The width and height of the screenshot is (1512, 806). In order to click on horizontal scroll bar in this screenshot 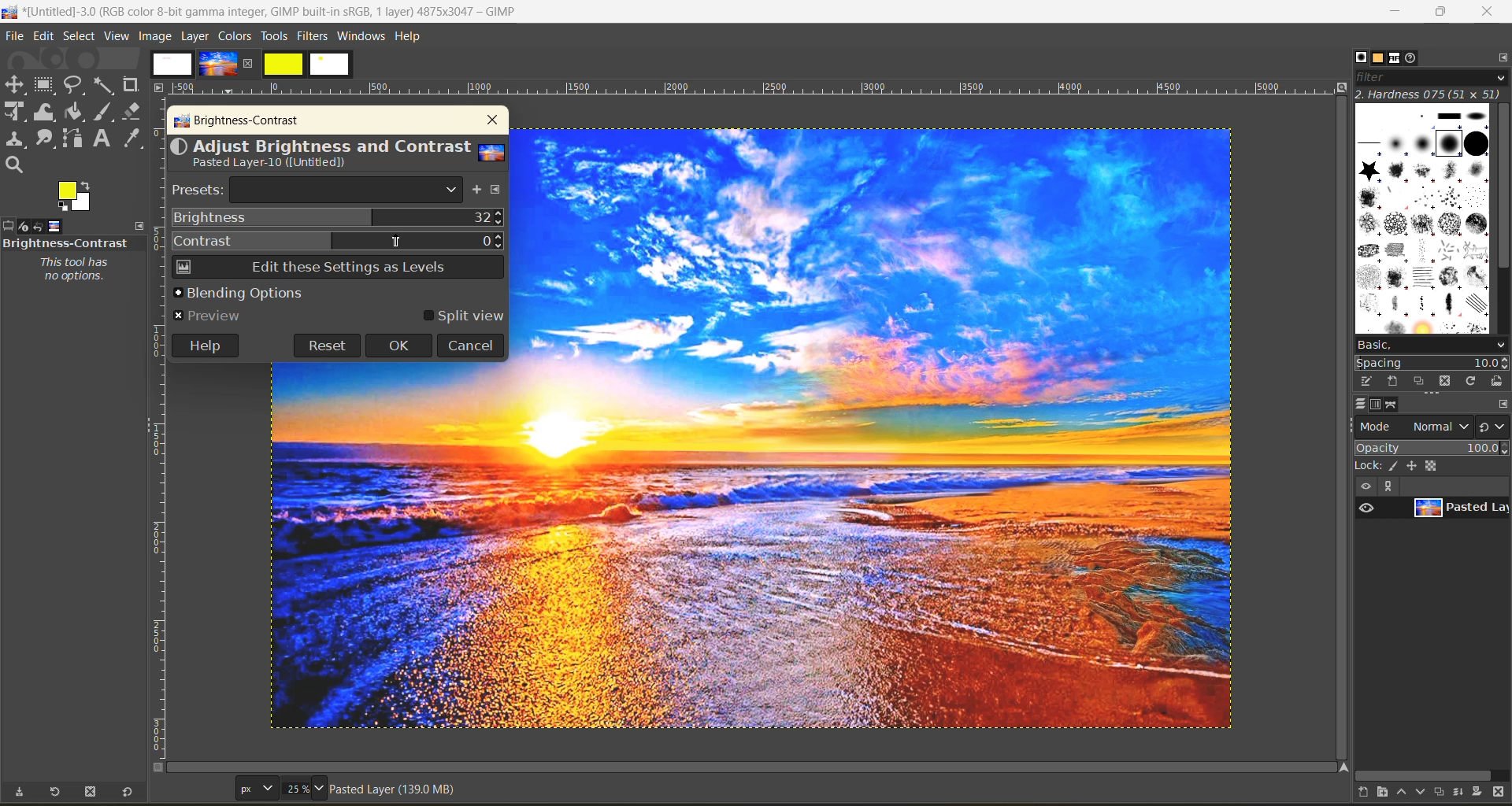, I will do `click(1427, 775)`.